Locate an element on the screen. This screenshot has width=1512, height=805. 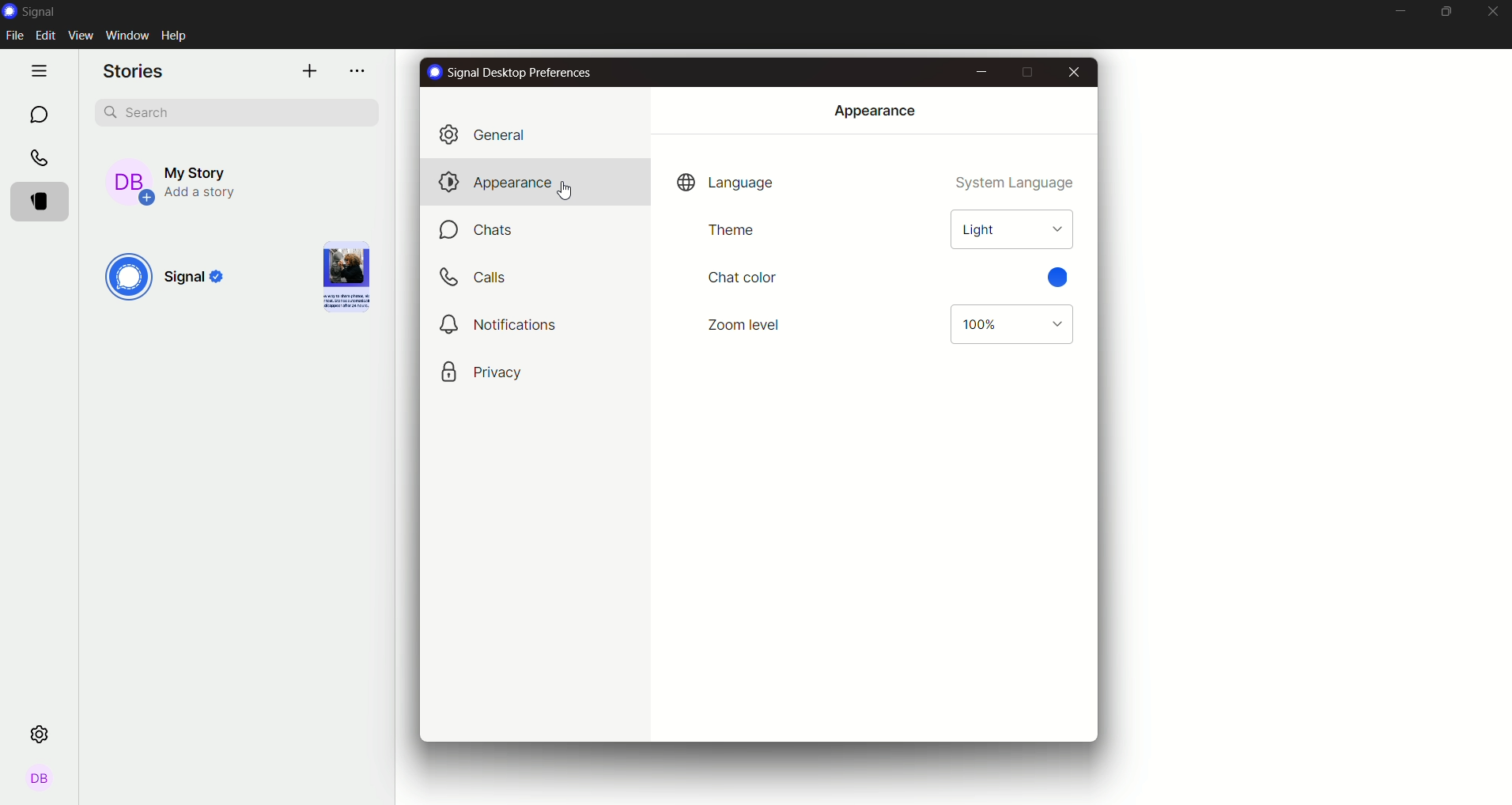
language is located at coordinates (726, 183).